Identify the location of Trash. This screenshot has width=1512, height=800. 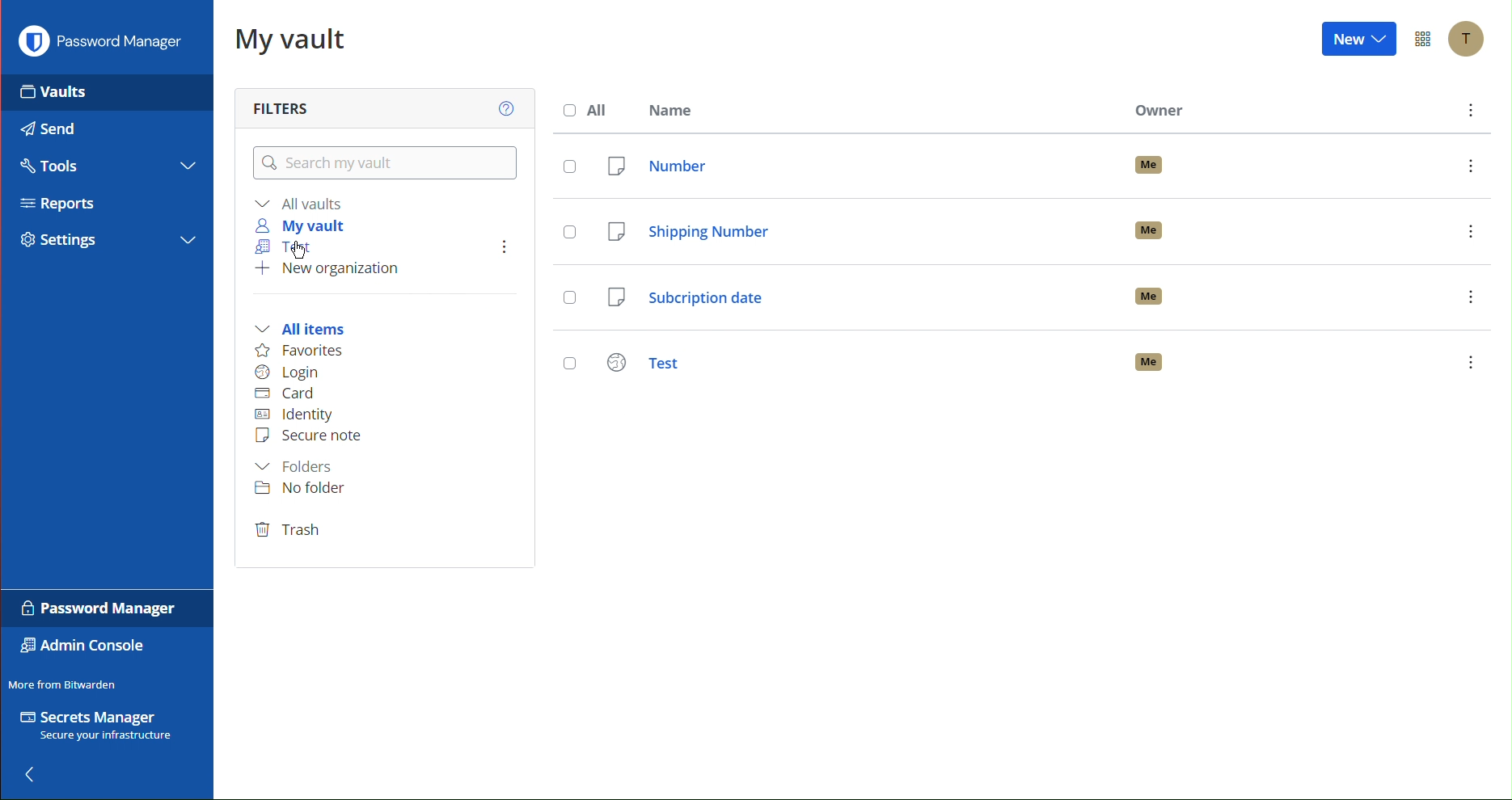
(289, 531).